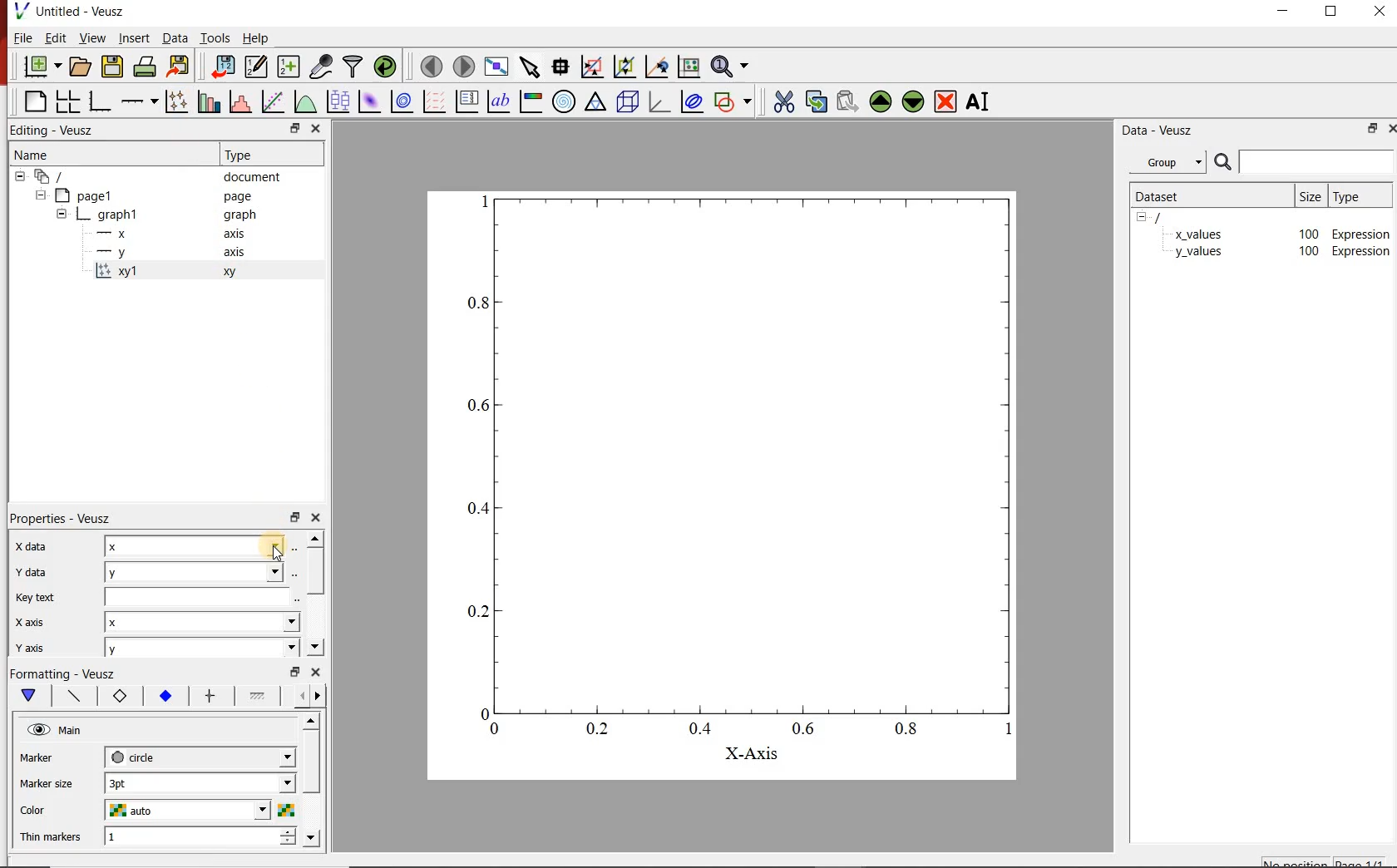 The image size is (1397, 868). I want to click on click or draw a rectangle to zoom on graph axes, so click(592, 67).